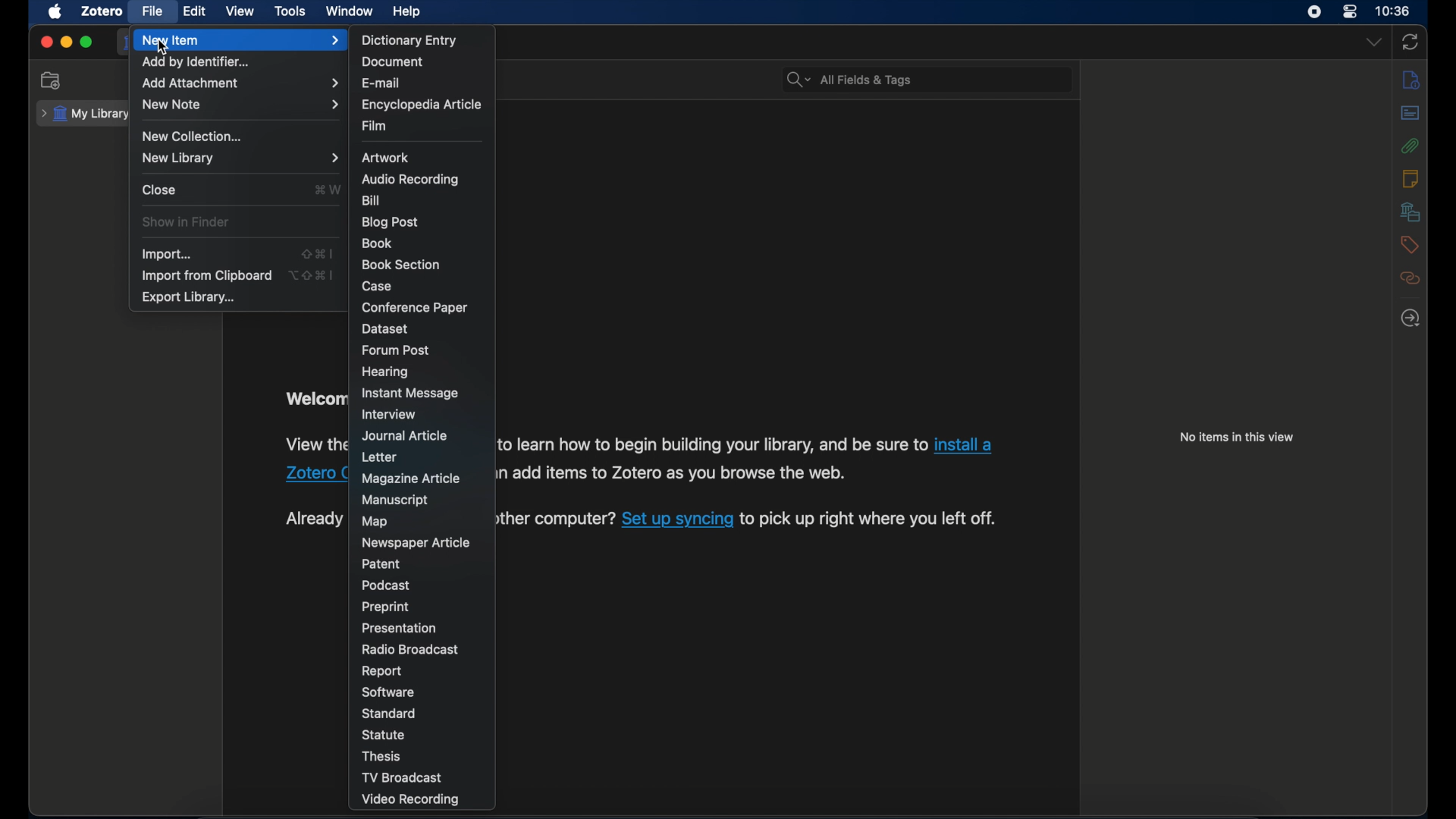 The width and height of the screenshot is (1456, 819). Describe the element at coordinates (381, 457) in the screenshot. I see `letter` at that location.